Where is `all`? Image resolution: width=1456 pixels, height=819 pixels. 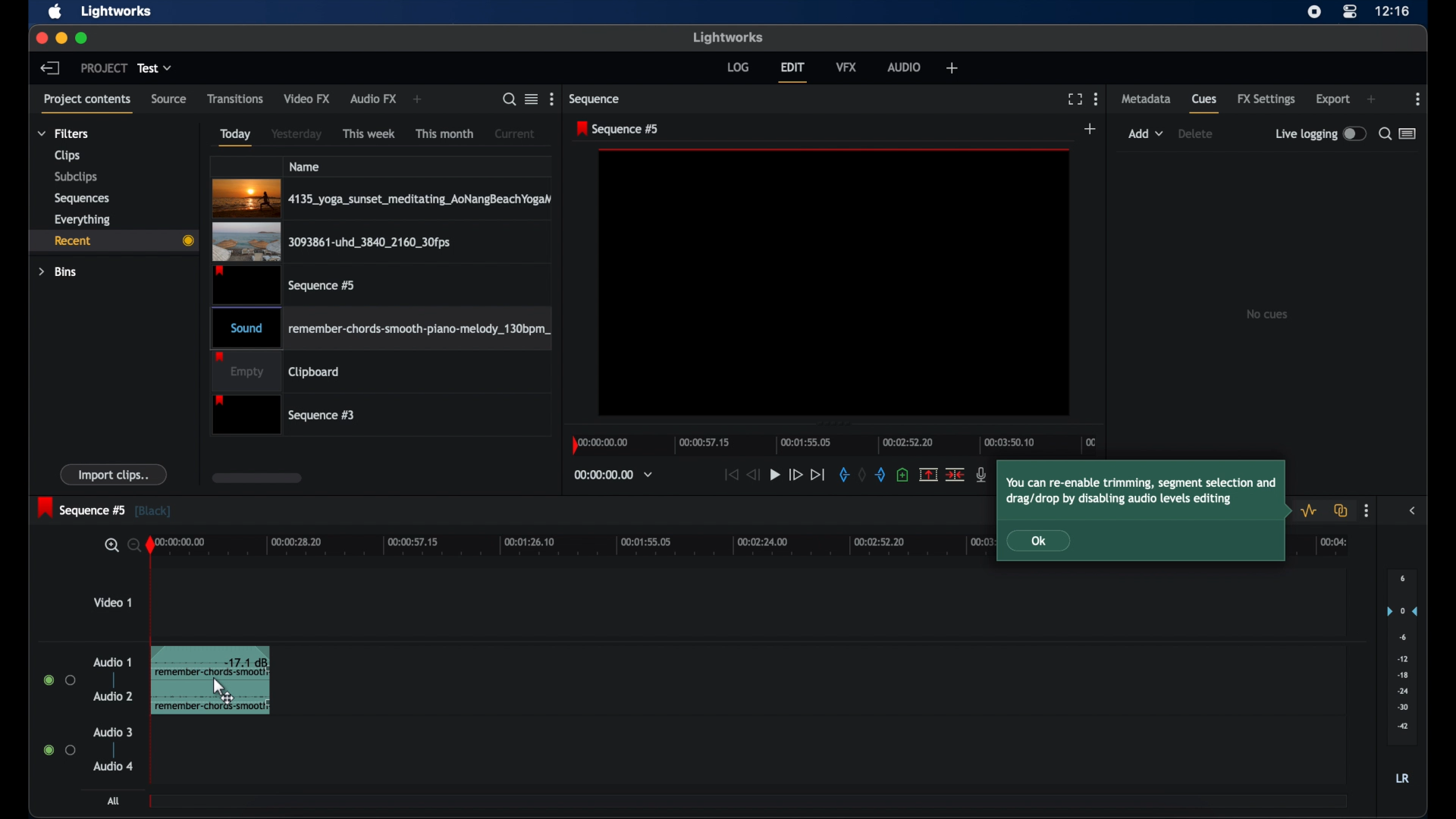 all is located at coordinates (115, 801).